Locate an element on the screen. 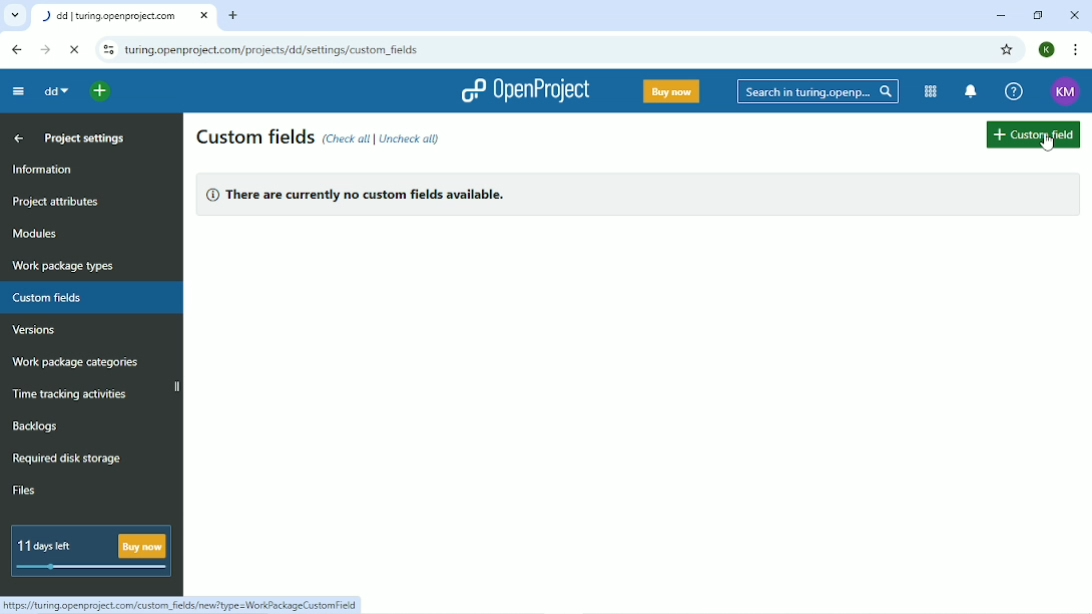  OpenProject is located at coordinates (530, 91).